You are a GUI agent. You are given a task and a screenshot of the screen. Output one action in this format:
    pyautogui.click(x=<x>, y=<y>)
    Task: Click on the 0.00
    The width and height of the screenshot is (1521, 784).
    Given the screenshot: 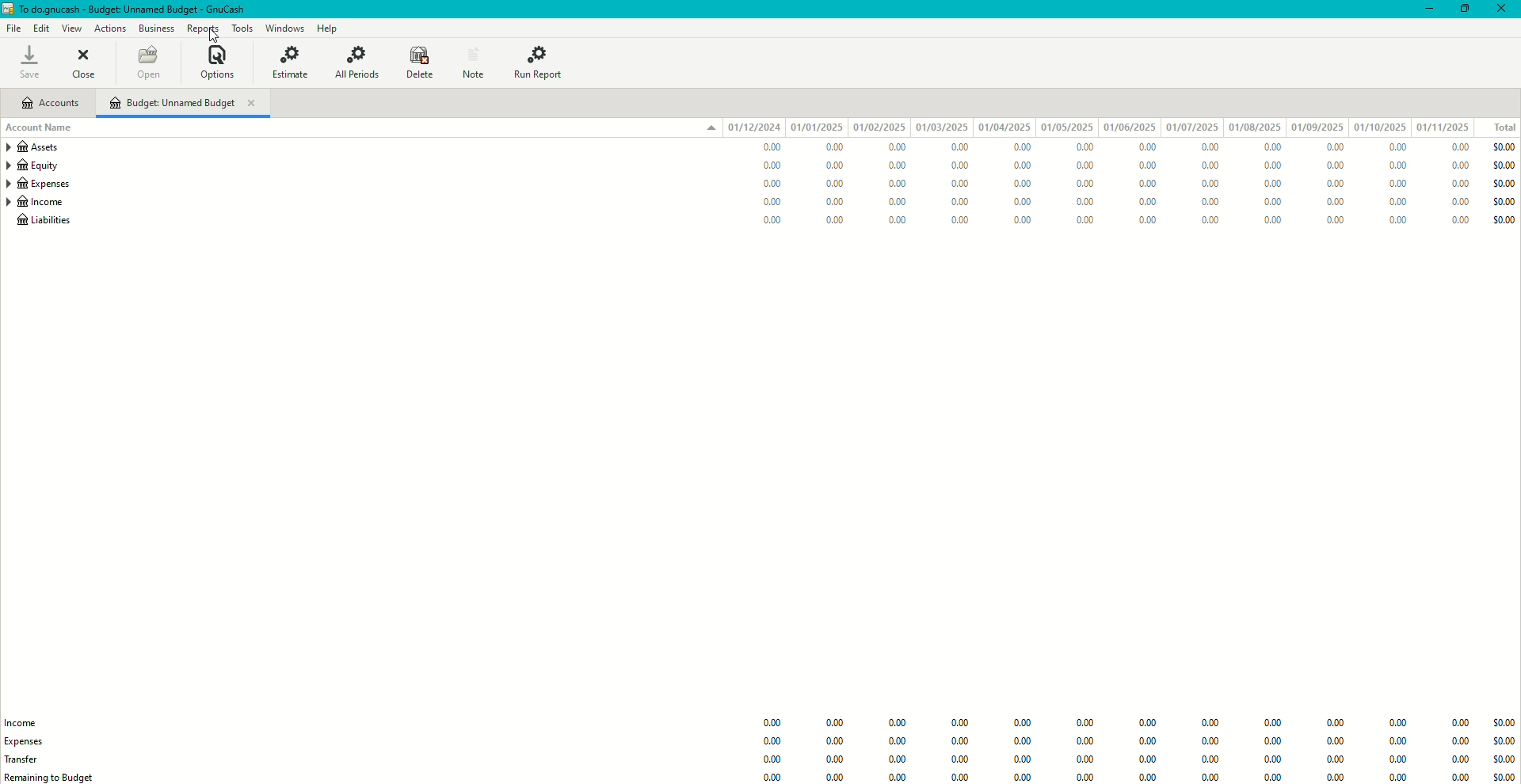 What is the action you would take?
    pyautogui.click(x=1147, y=760)
    